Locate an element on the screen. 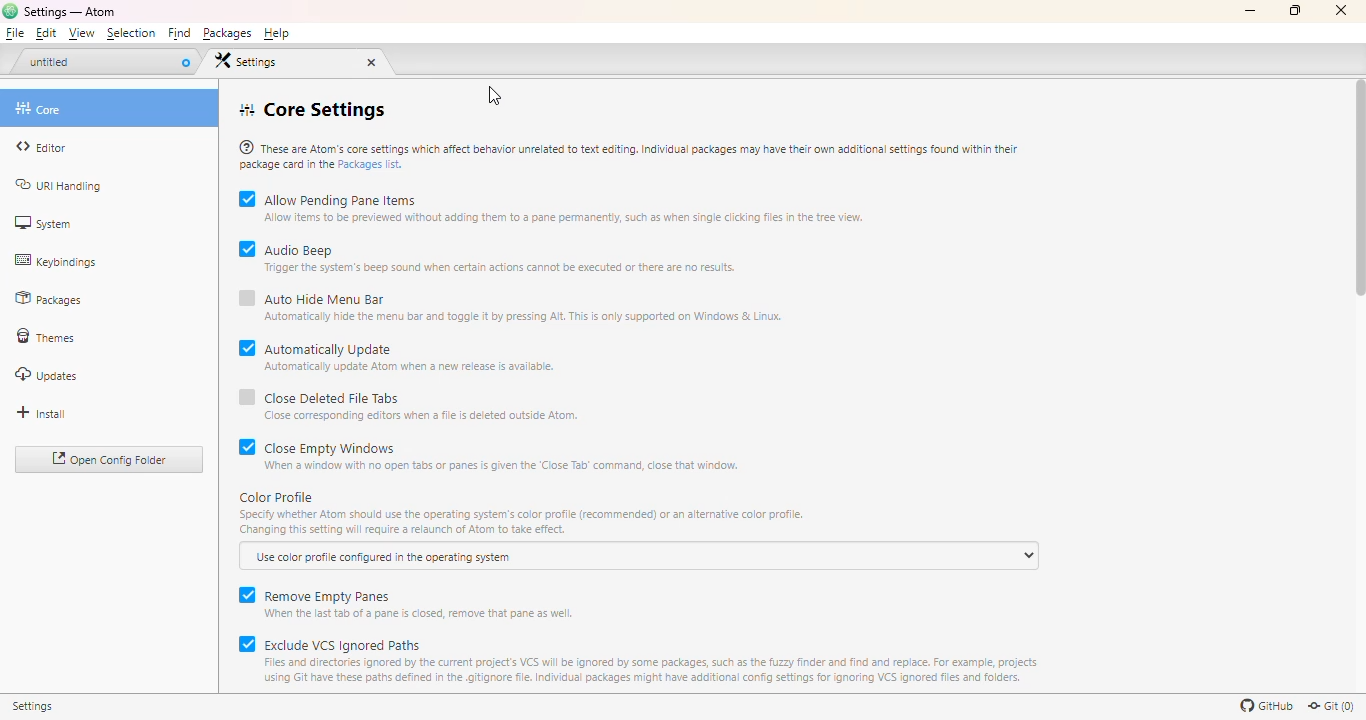 Image resolution: width=1366 pixels, height=720 pixels. allow pending pane items is located at coordinates (566, 207).